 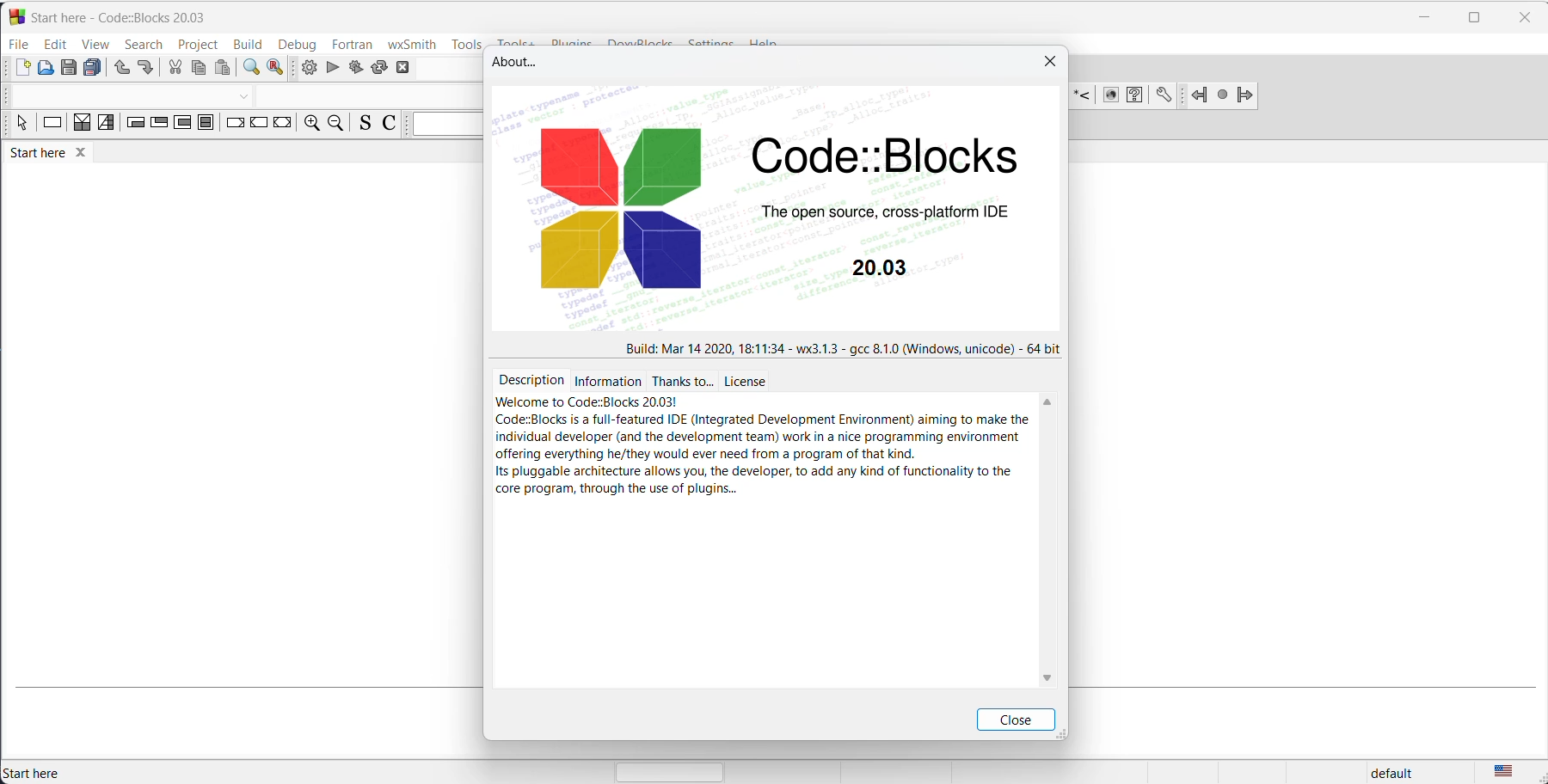 What do you see at coordinates (306, 67) in the screenshot?
I see `build` at bounding box center [306, 67].